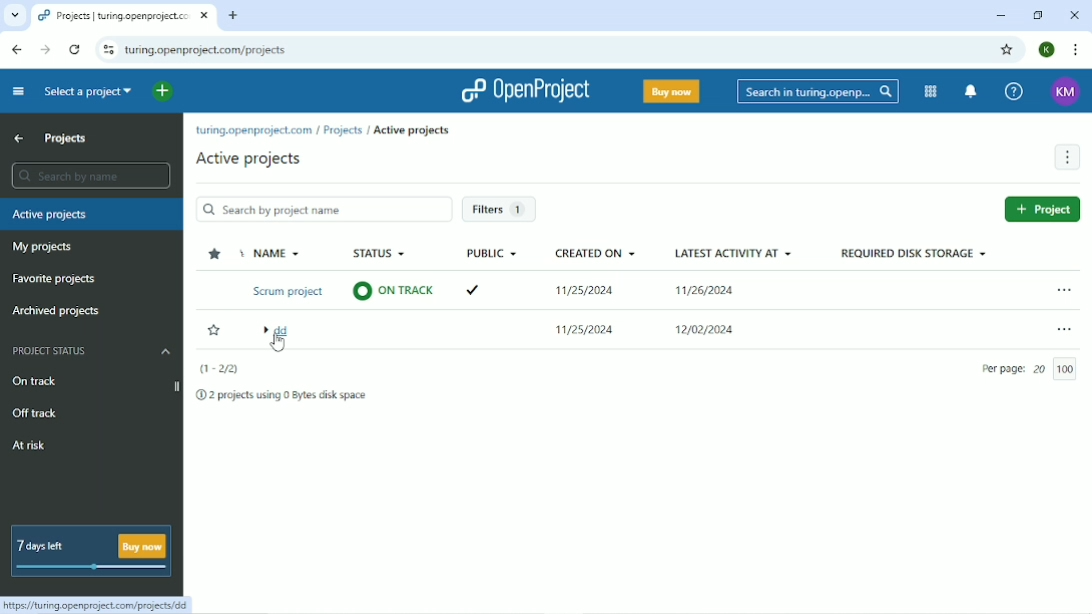 The height and width of the screenshot is (614, 1092). Describe the element at coordinates (233, 15) in the screenshot. I see `New tab` at that location.